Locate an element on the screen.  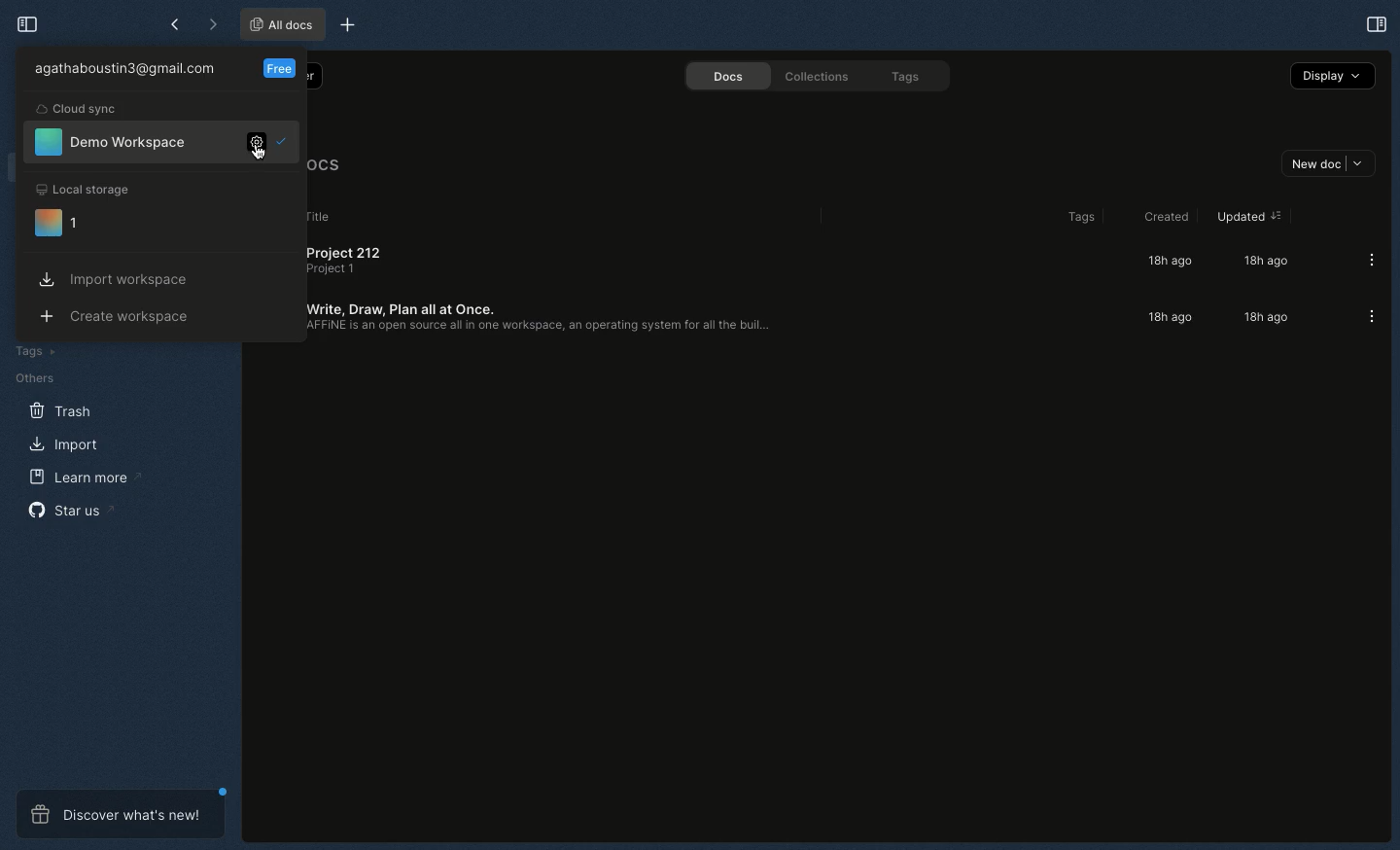
Cloud sync is located at coordinates (79, 109).